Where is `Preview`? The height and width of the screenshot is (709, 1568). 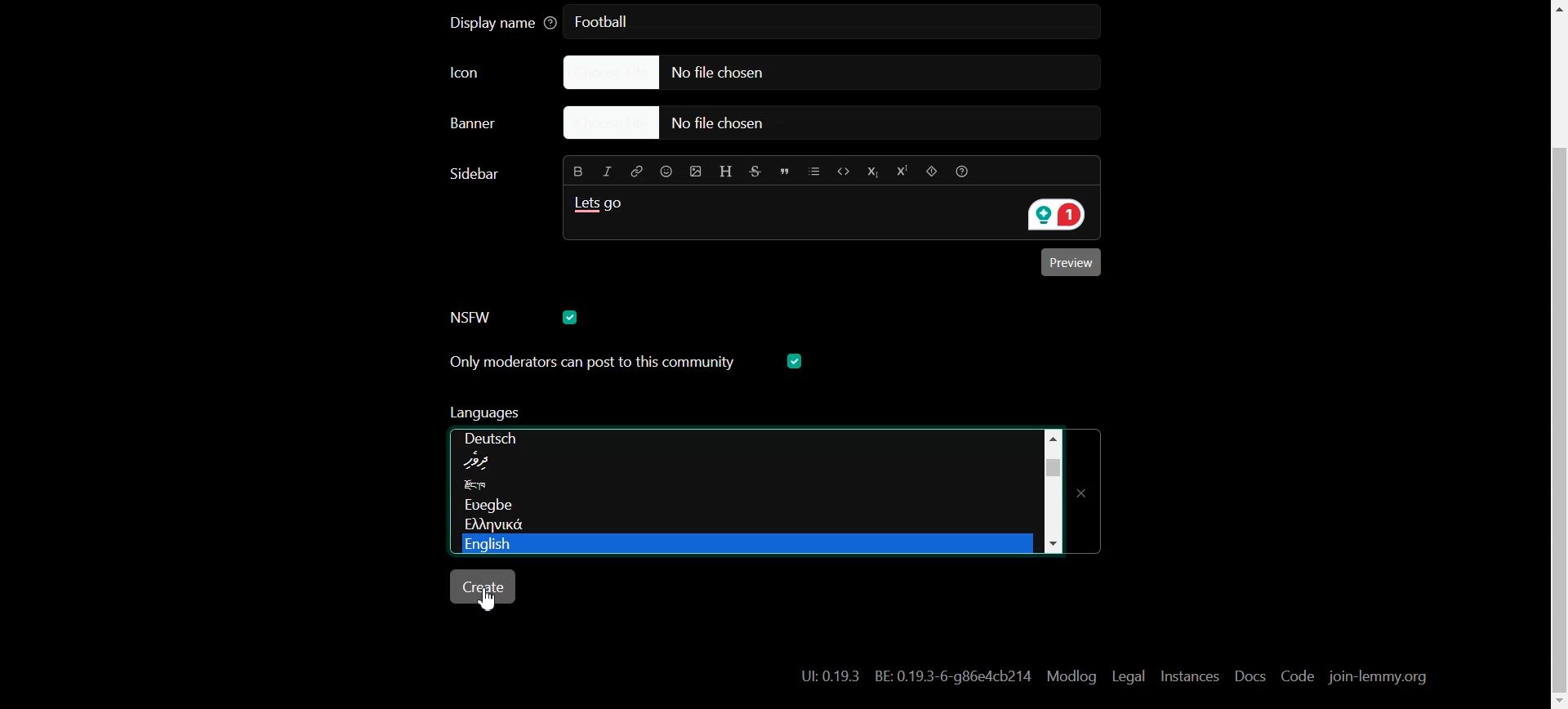 Preview is located at coordinates (1074, 265).